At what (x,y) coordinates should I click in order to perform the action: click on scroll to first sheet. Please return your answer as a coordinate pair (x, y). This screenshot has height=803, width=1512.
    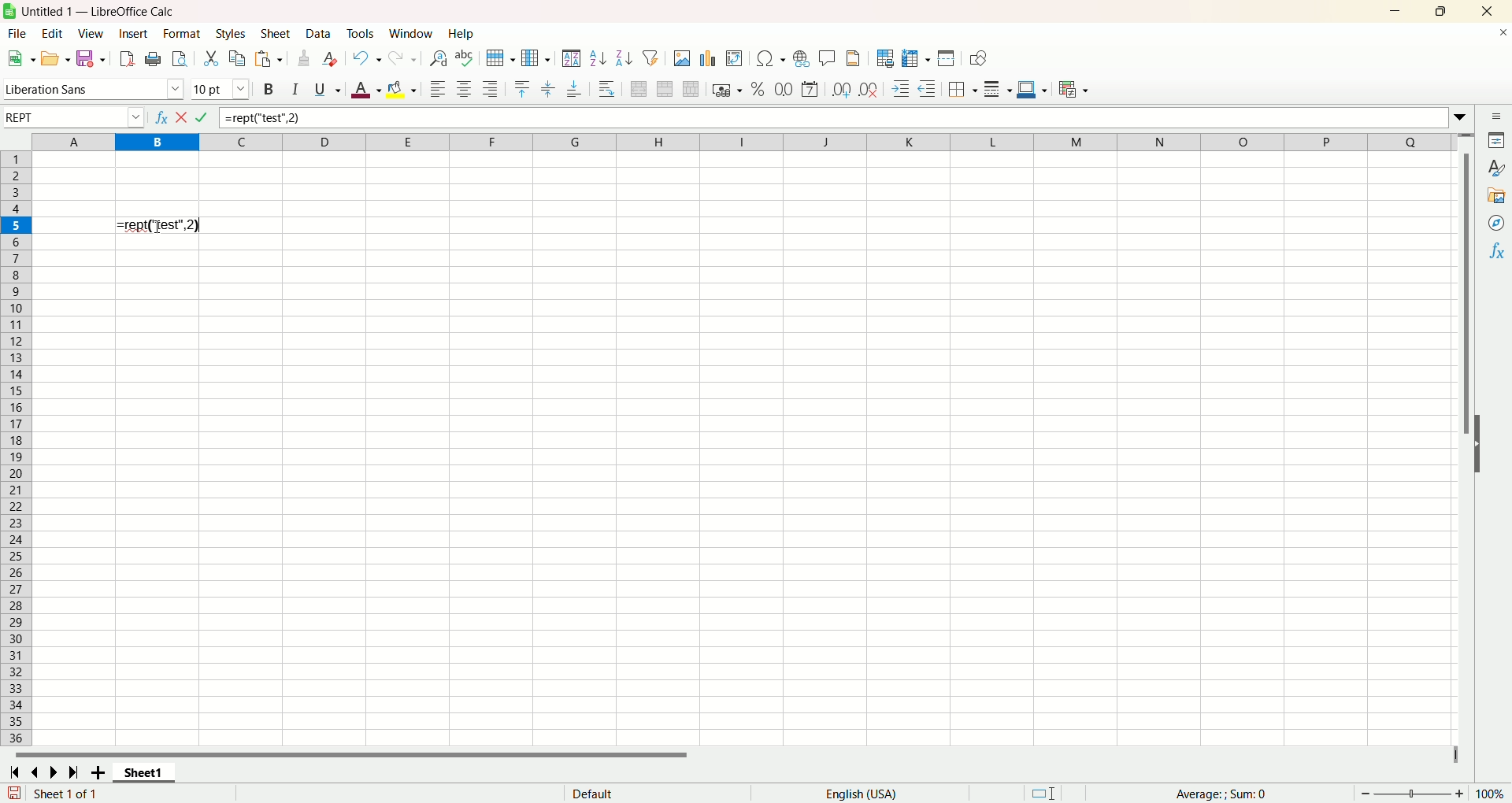
    Looking at the image, I should click on (16, 773).